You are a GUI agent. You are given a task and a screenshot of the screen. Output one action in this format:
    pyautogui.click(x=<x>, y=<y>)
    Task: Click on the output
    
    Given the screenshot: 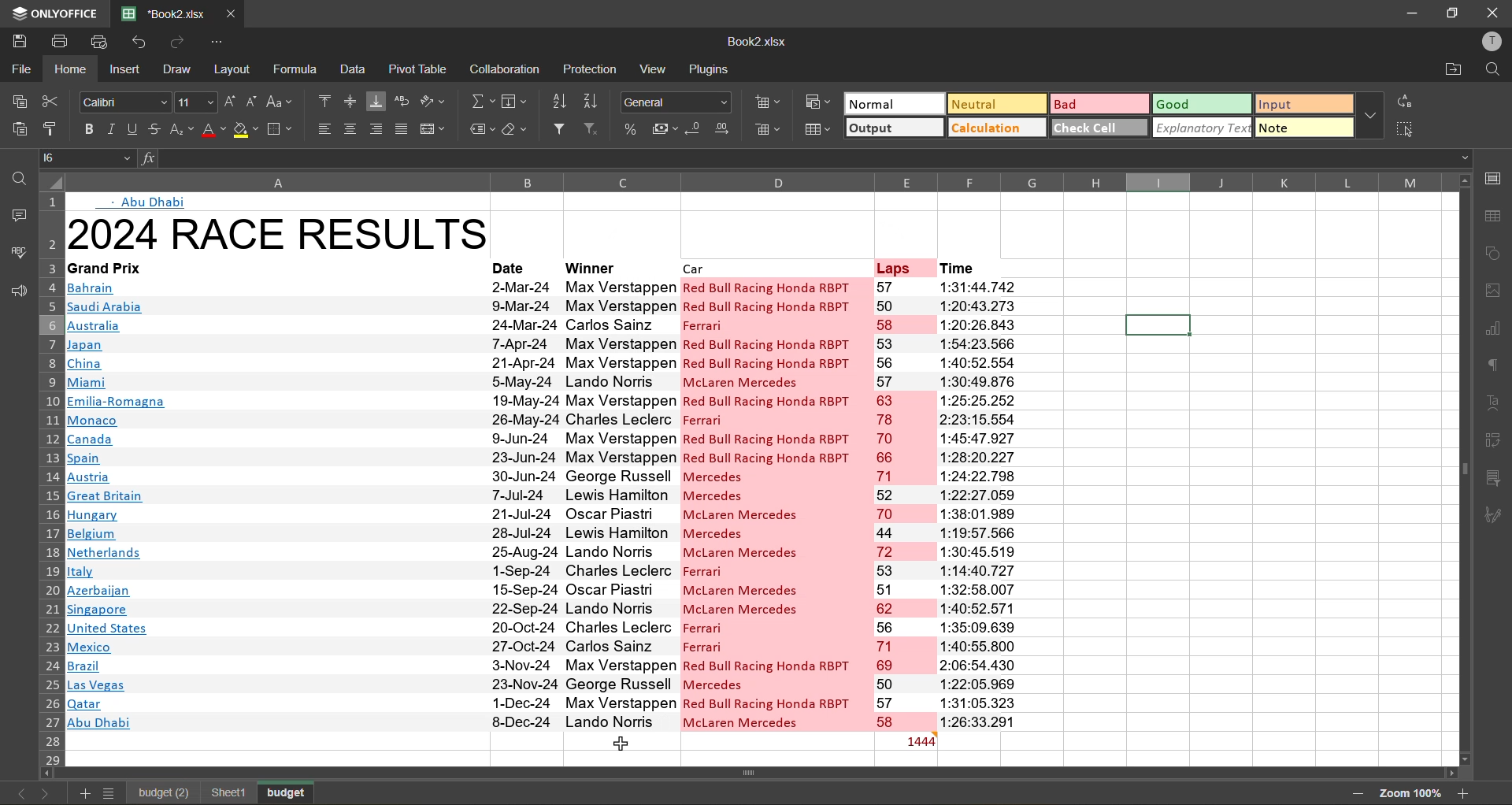 What is the action you would take?
    pyautogui.click(x=894, y=129)
    